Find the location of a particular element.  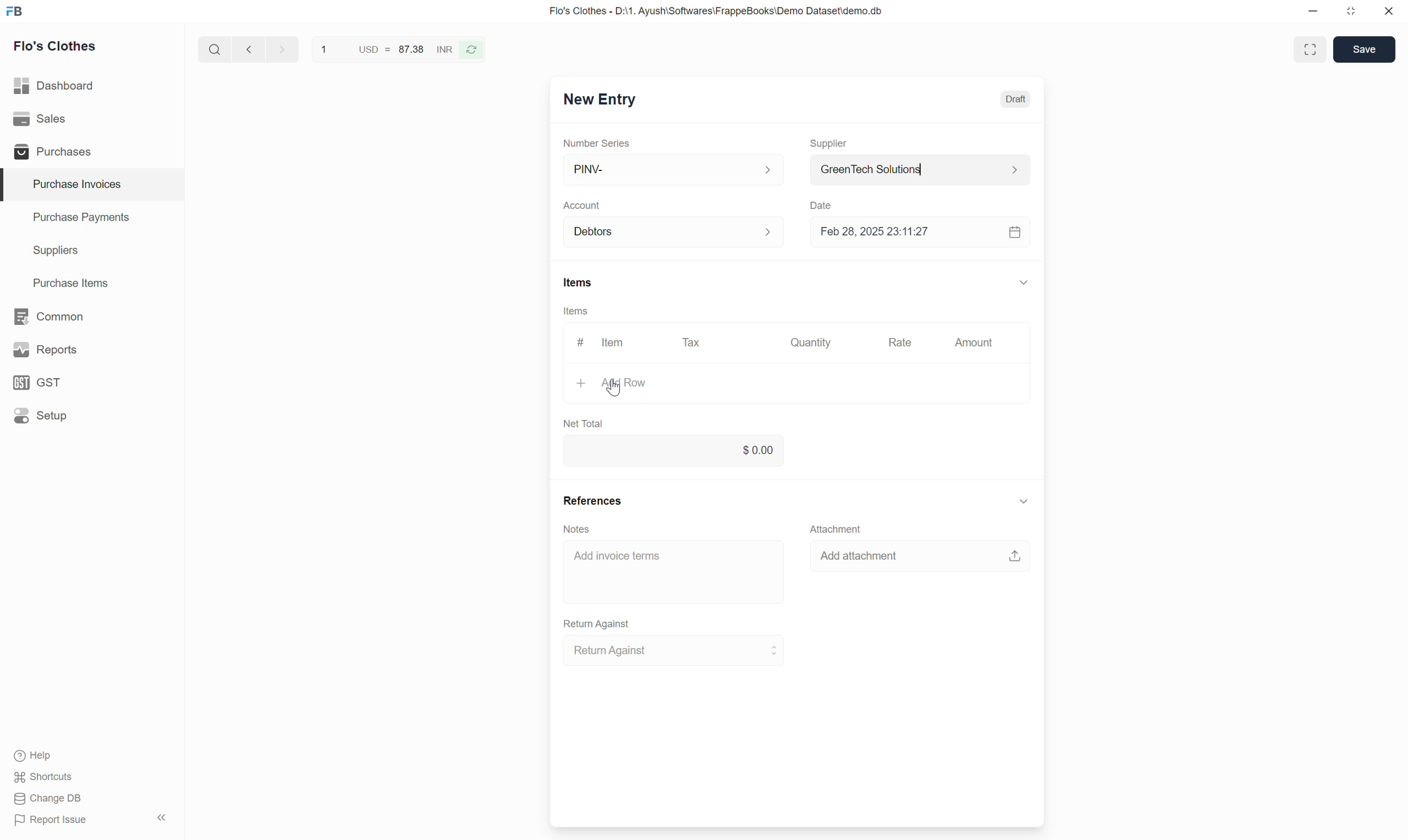

calendar icon is located at coordinates (1013, 232).